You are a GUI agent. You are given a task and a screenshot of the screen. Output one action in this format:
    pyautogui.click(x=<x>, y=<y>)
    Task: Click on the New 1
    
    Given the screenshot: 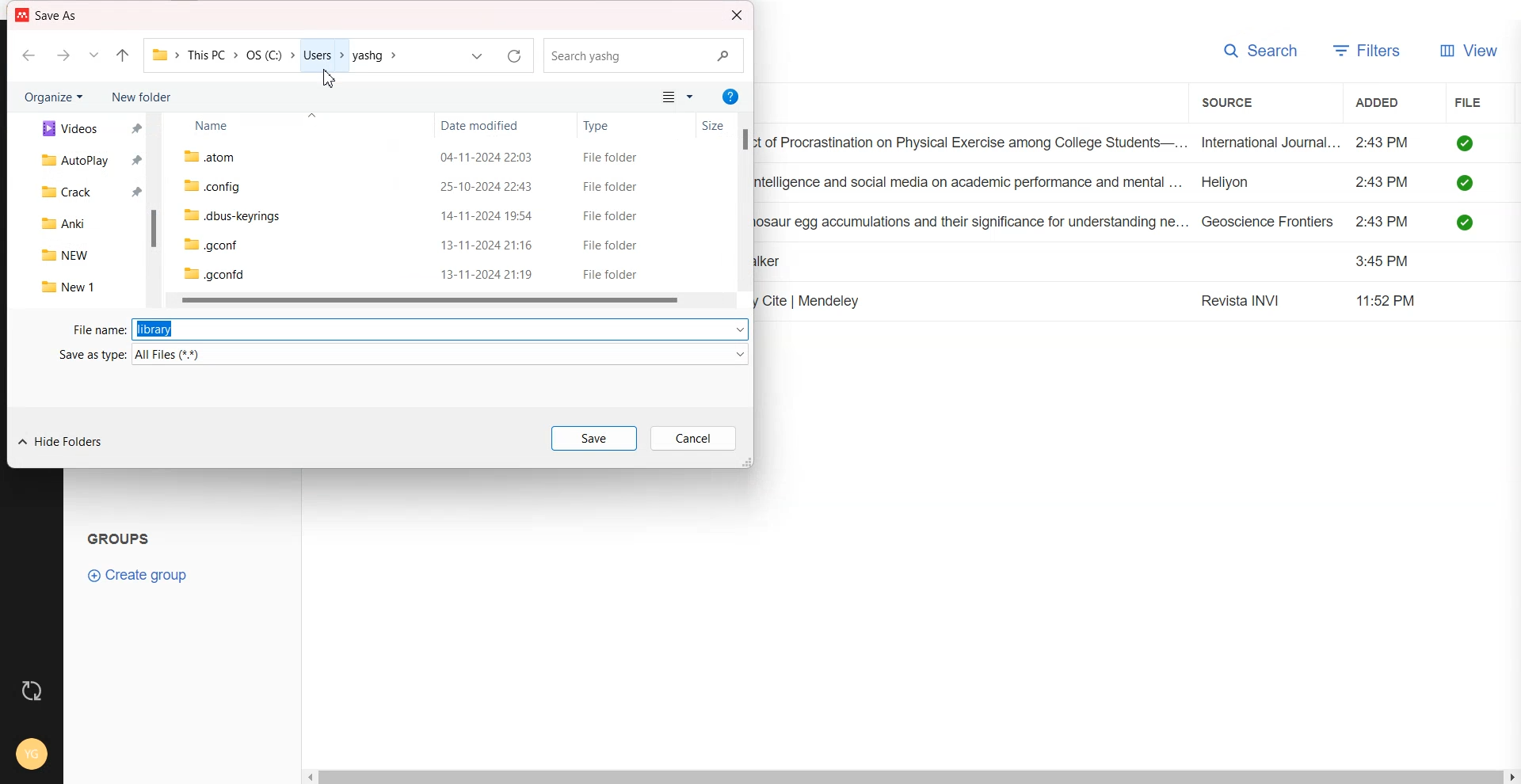 What is the action you would take?
    pyautogui.click(x=88, y=286)
    